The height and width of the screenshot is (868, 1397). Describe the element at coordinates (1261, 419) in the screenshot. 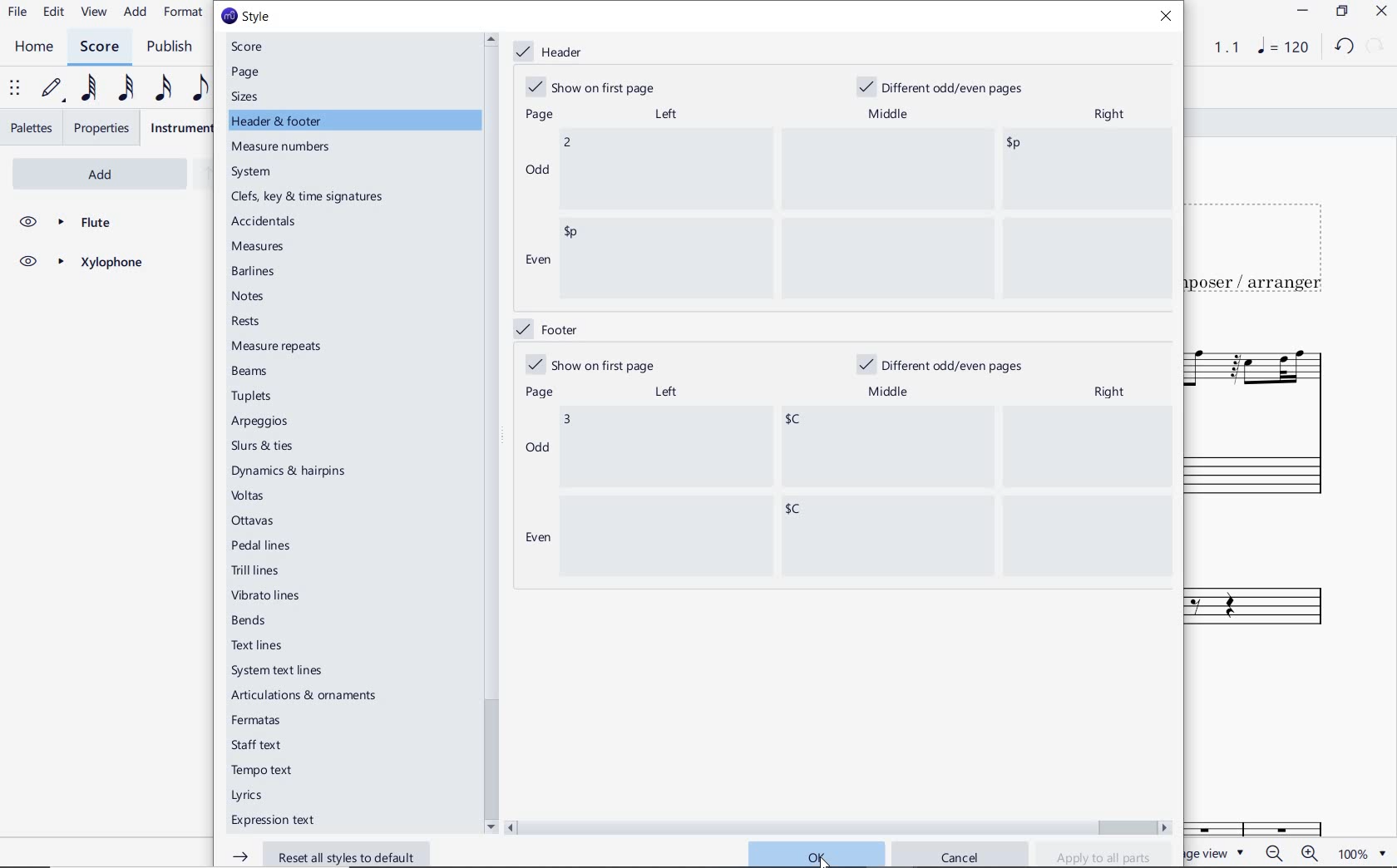

I see `FLUTE` at that location.